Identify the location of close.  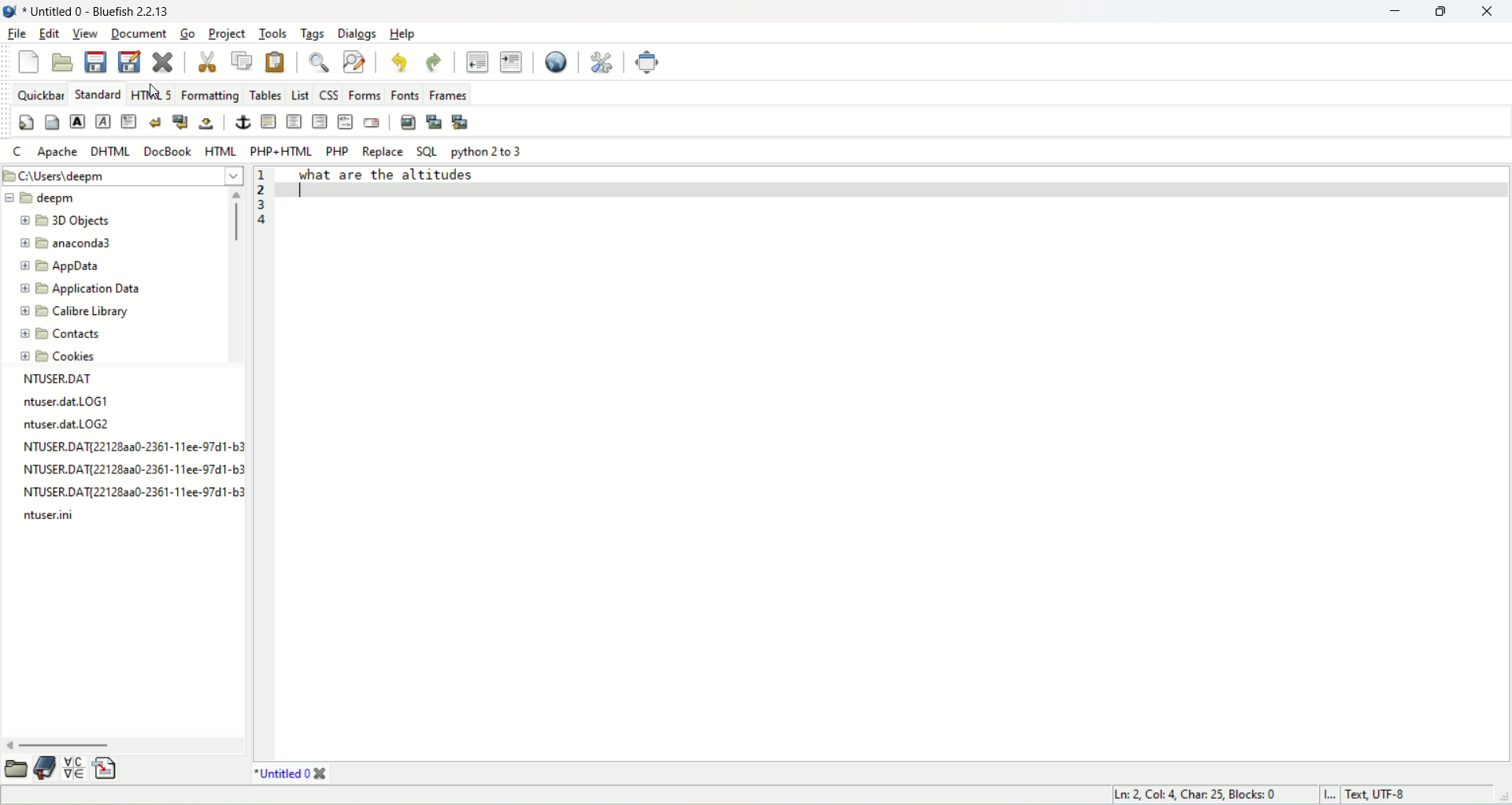
(1489, 11).